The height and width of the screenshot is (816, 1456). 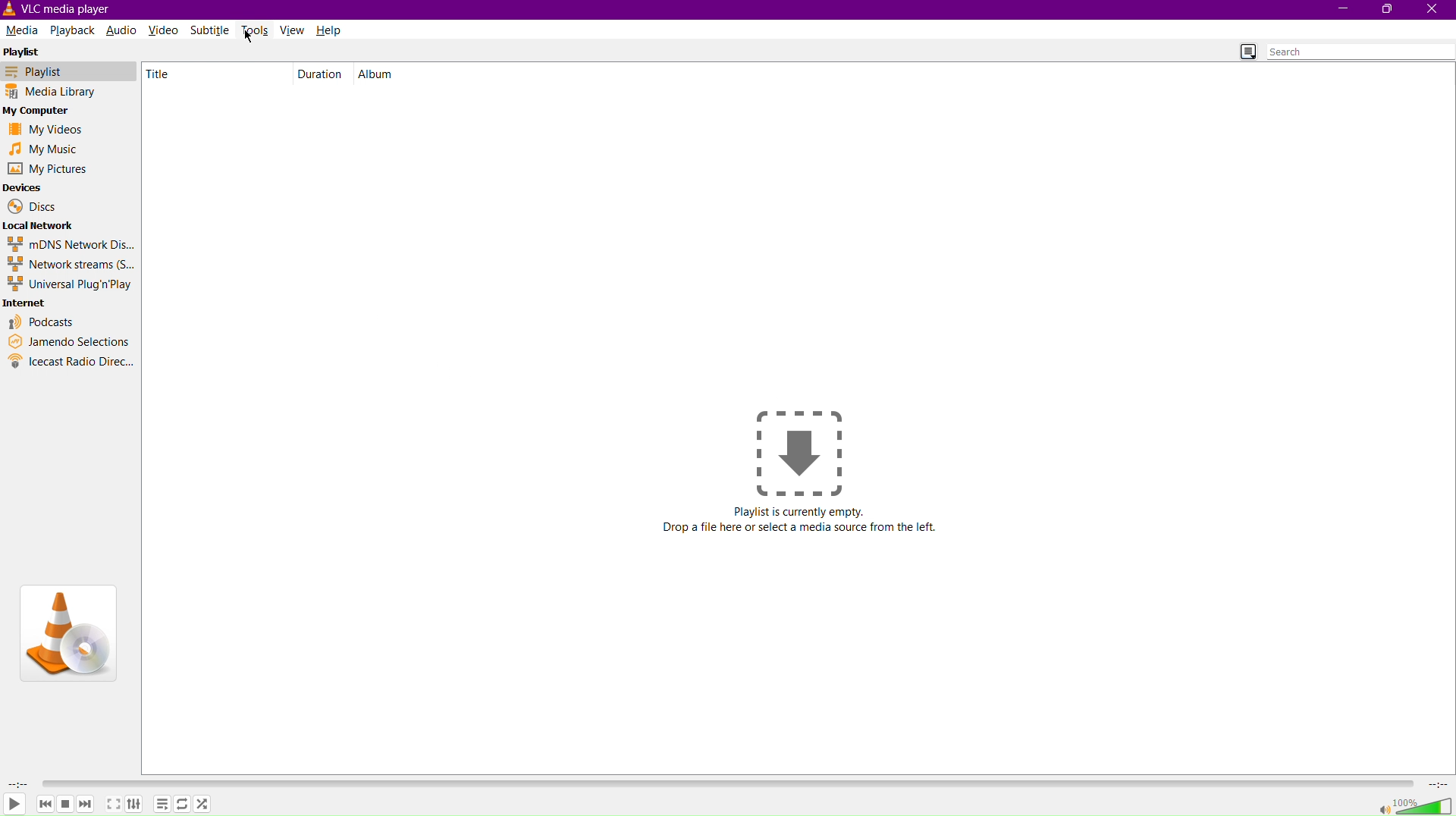 What do you see at coordinates (44, 319) in the screenshot?
I see `Podcasts` at bounding box center [44, 319].